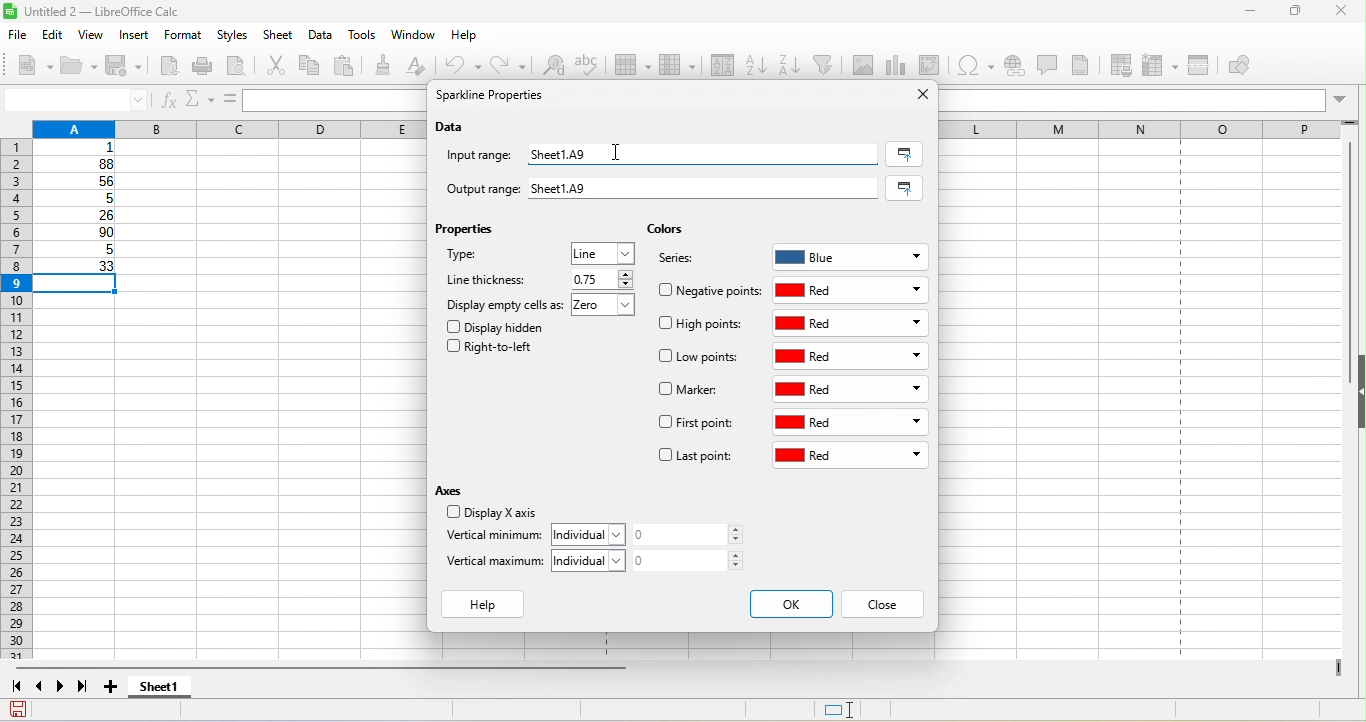 The height and width of the screenshot is (722, 1366). Describe the element at coordinates (898, 65) in the screenshot. I see `chart` at that location.